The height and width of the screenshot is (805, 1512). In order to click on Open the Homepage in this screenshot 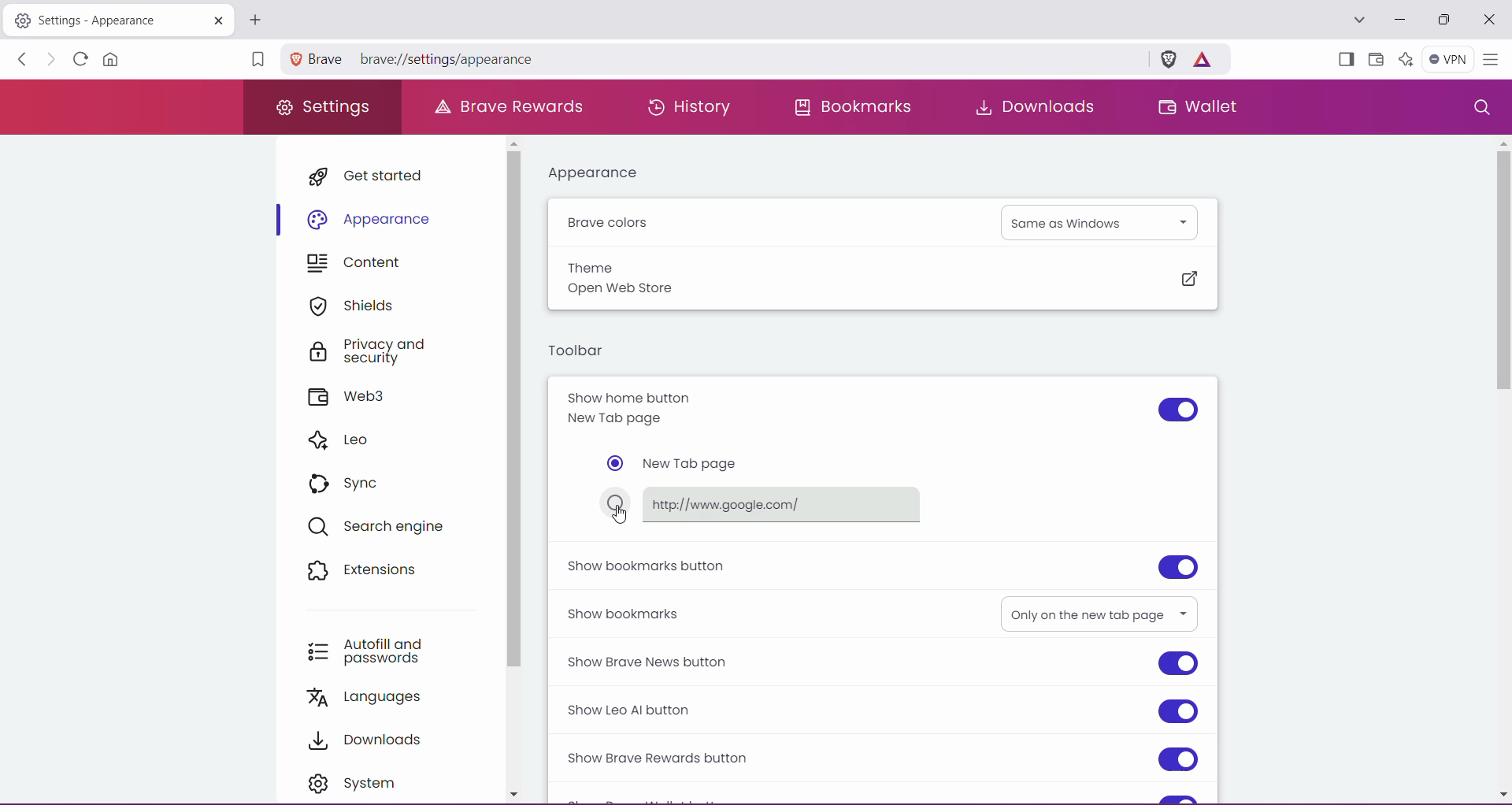, I will do `click(113, 59)`.